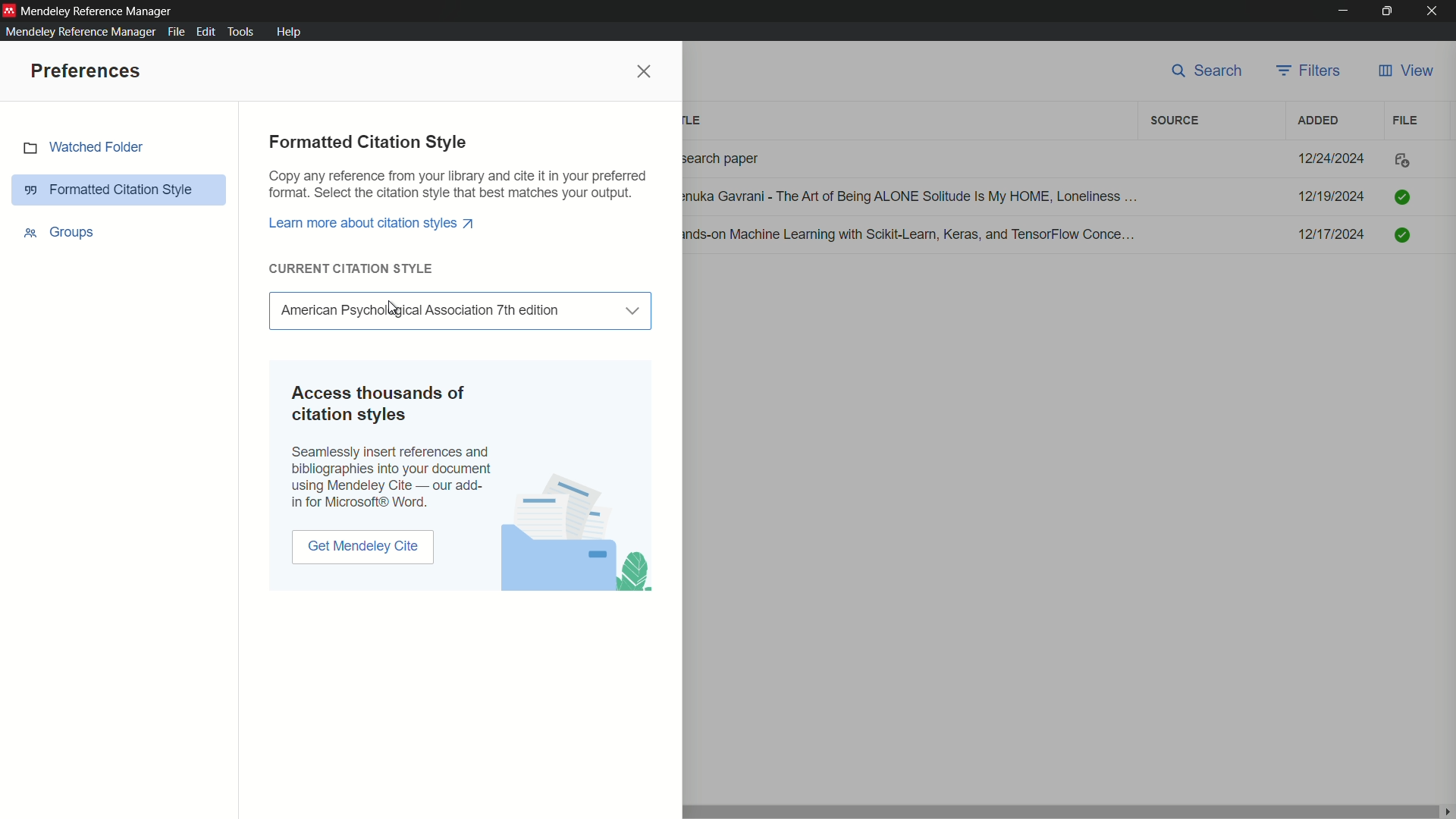 Image resolution: width=1456 pixels, height=819 pixels. I want to click on details, so click(1056, 158).